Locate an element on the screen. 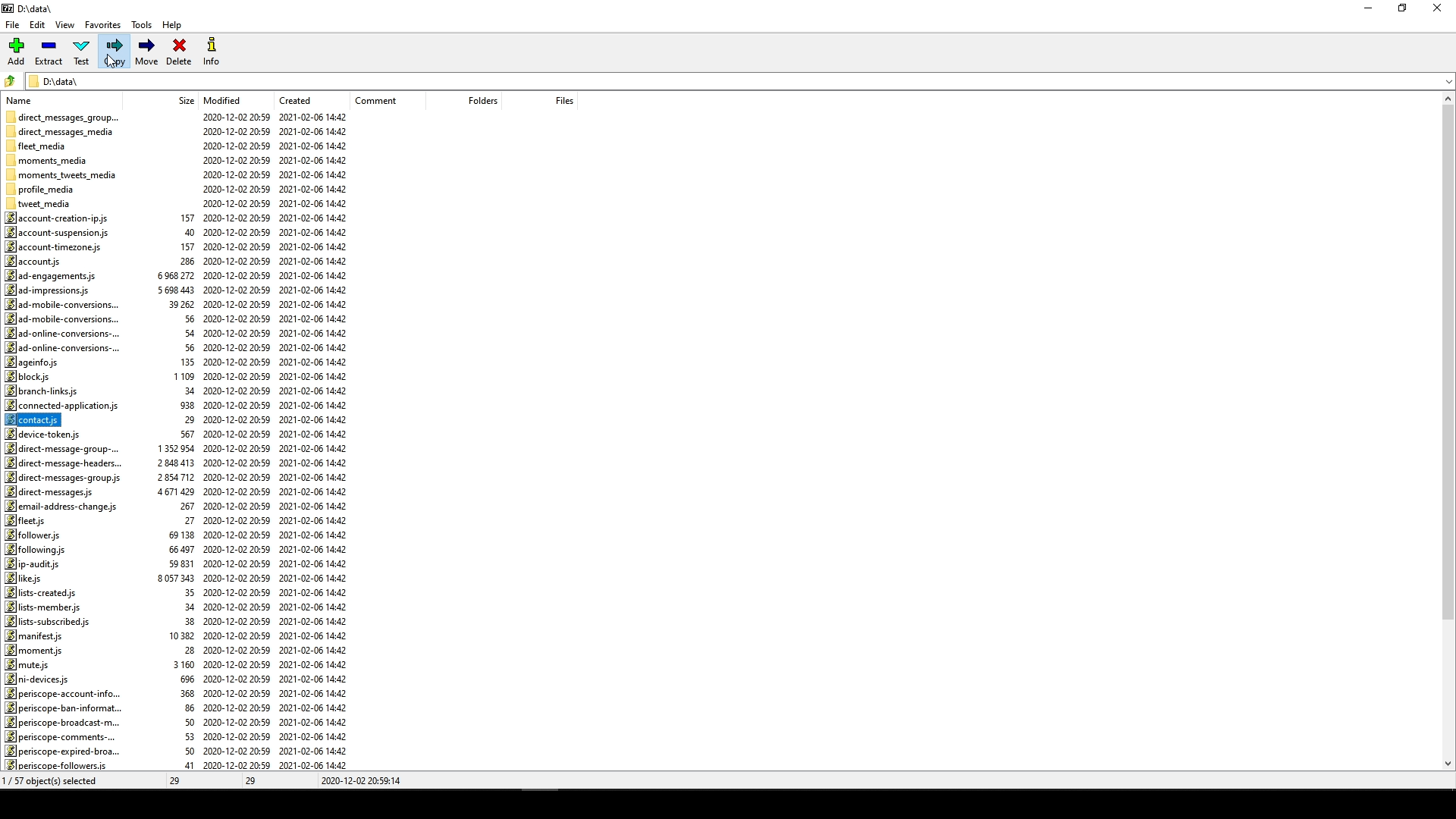 Image resolution: width=1456 pixels, height=819 pixels. size is located at coordinates (181, 101).